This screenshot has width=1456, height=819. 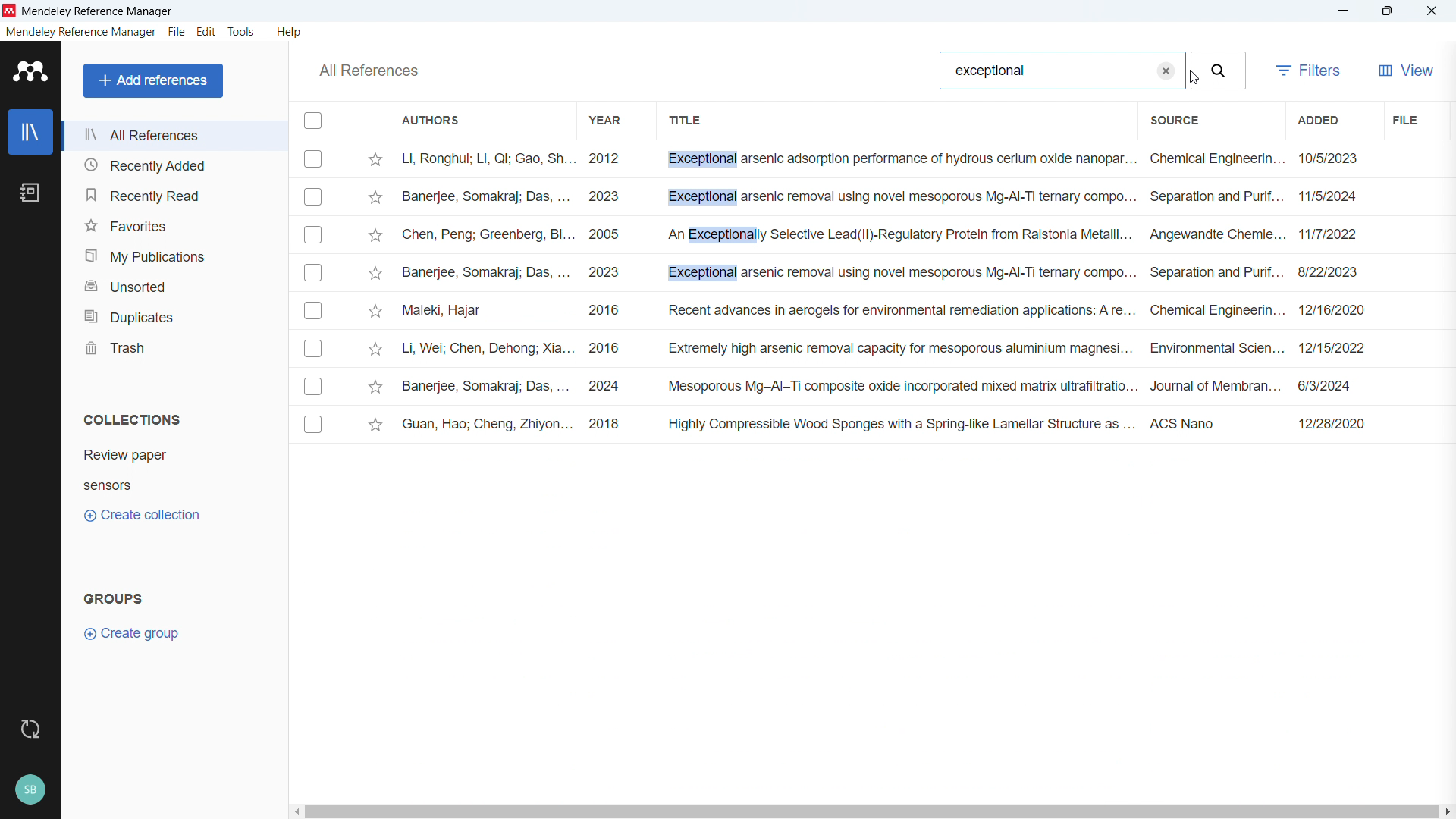 What do you see at coordinates (605, 293) in the screenshot?
I see `year of publication of individual entries ` at bounding box center [605, 293].